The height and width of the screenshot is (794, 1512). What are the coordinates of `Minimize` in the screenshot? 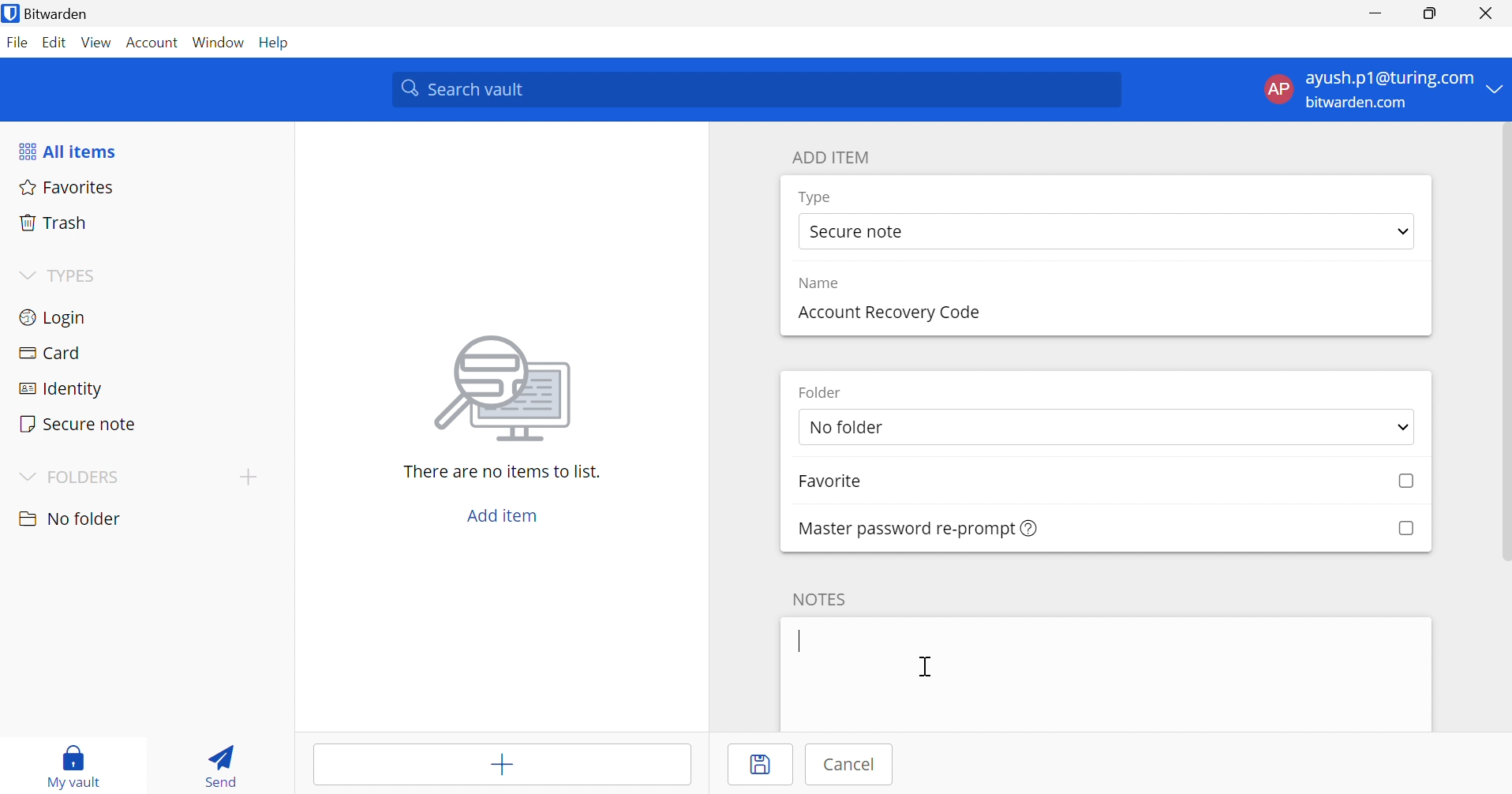 It's located at (1375, 15).